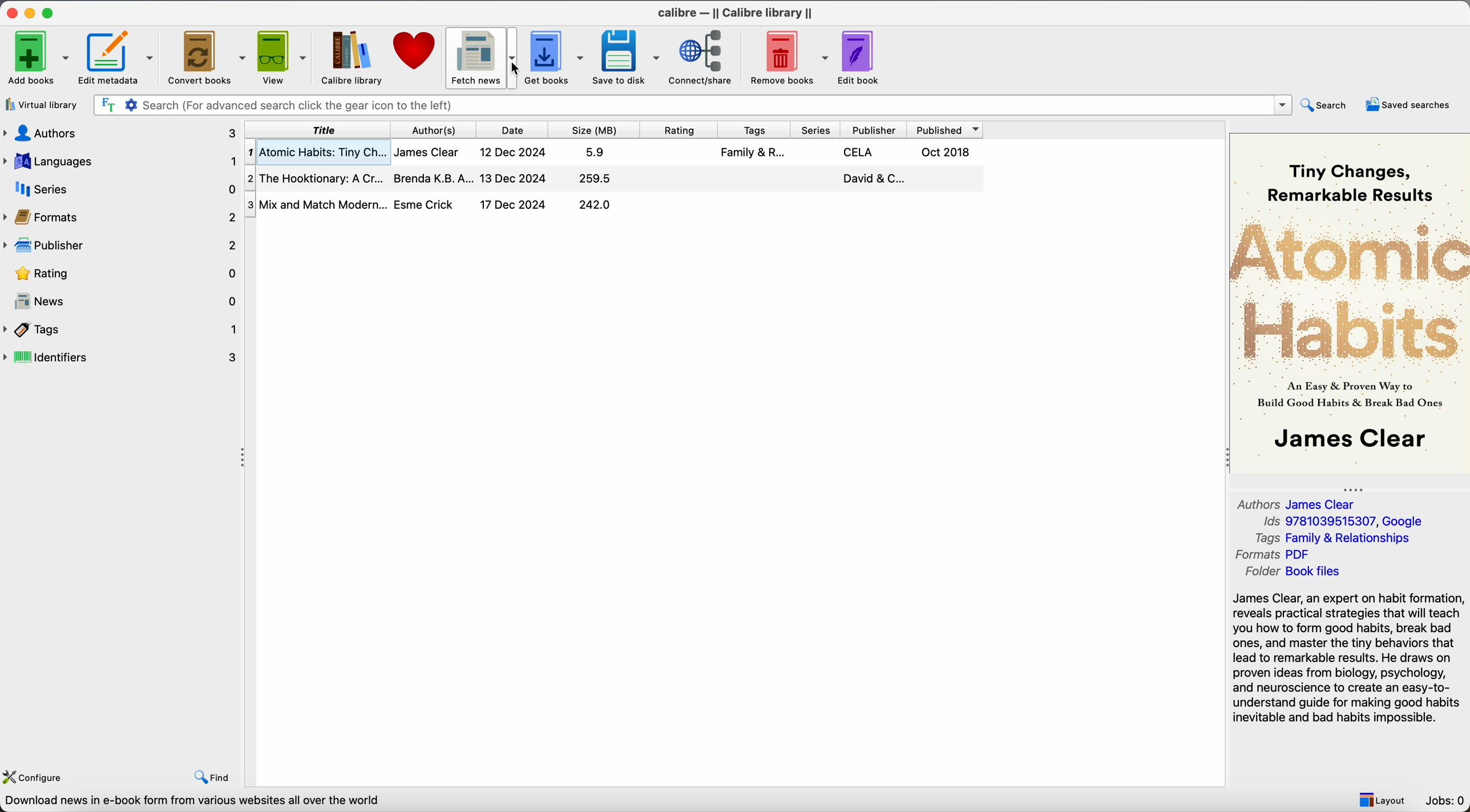  I want to click on click on fetch news options, so click(481, 59).